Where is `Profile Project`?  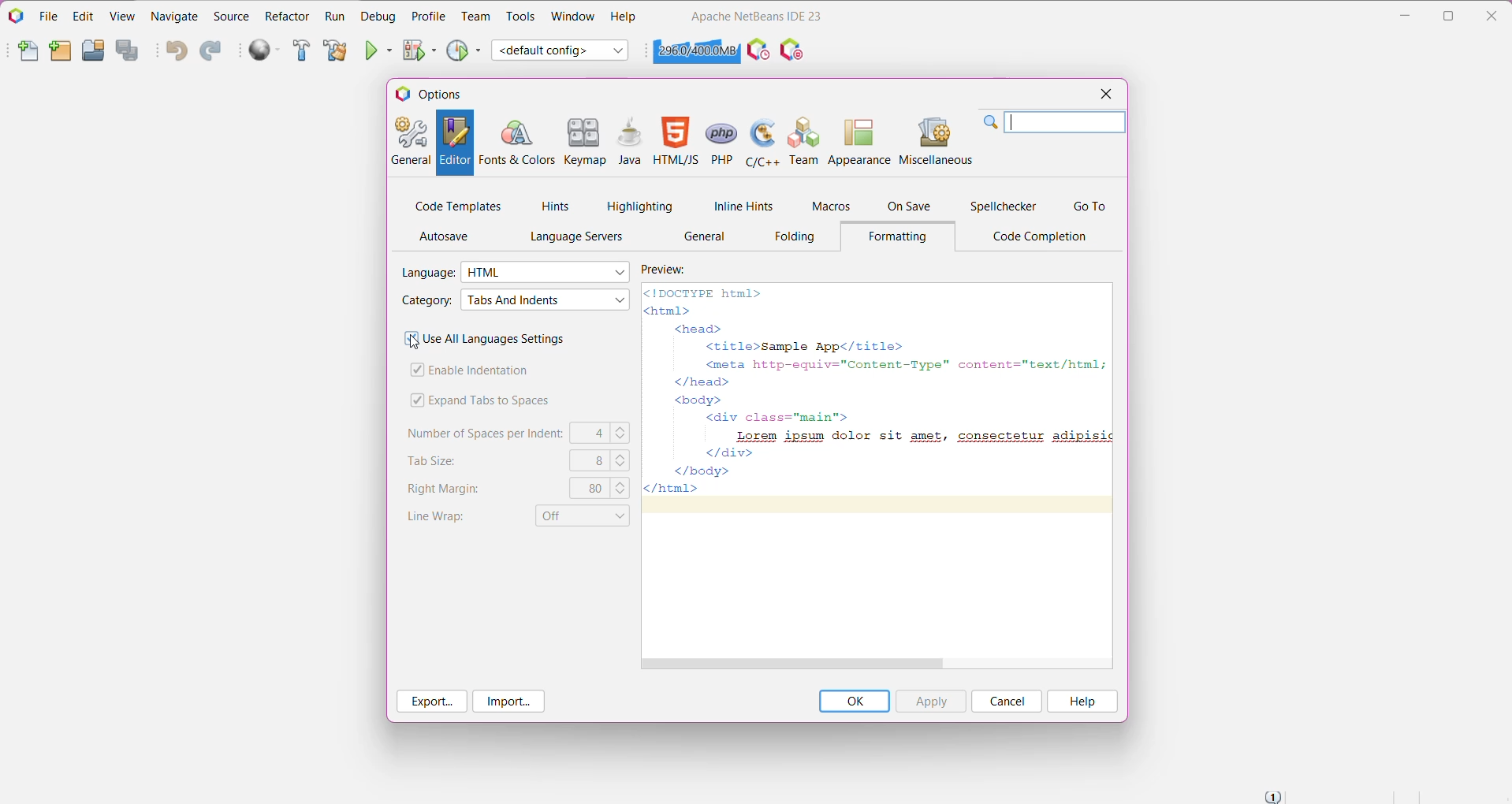 Profile Project is located at coordinates (464, 50).